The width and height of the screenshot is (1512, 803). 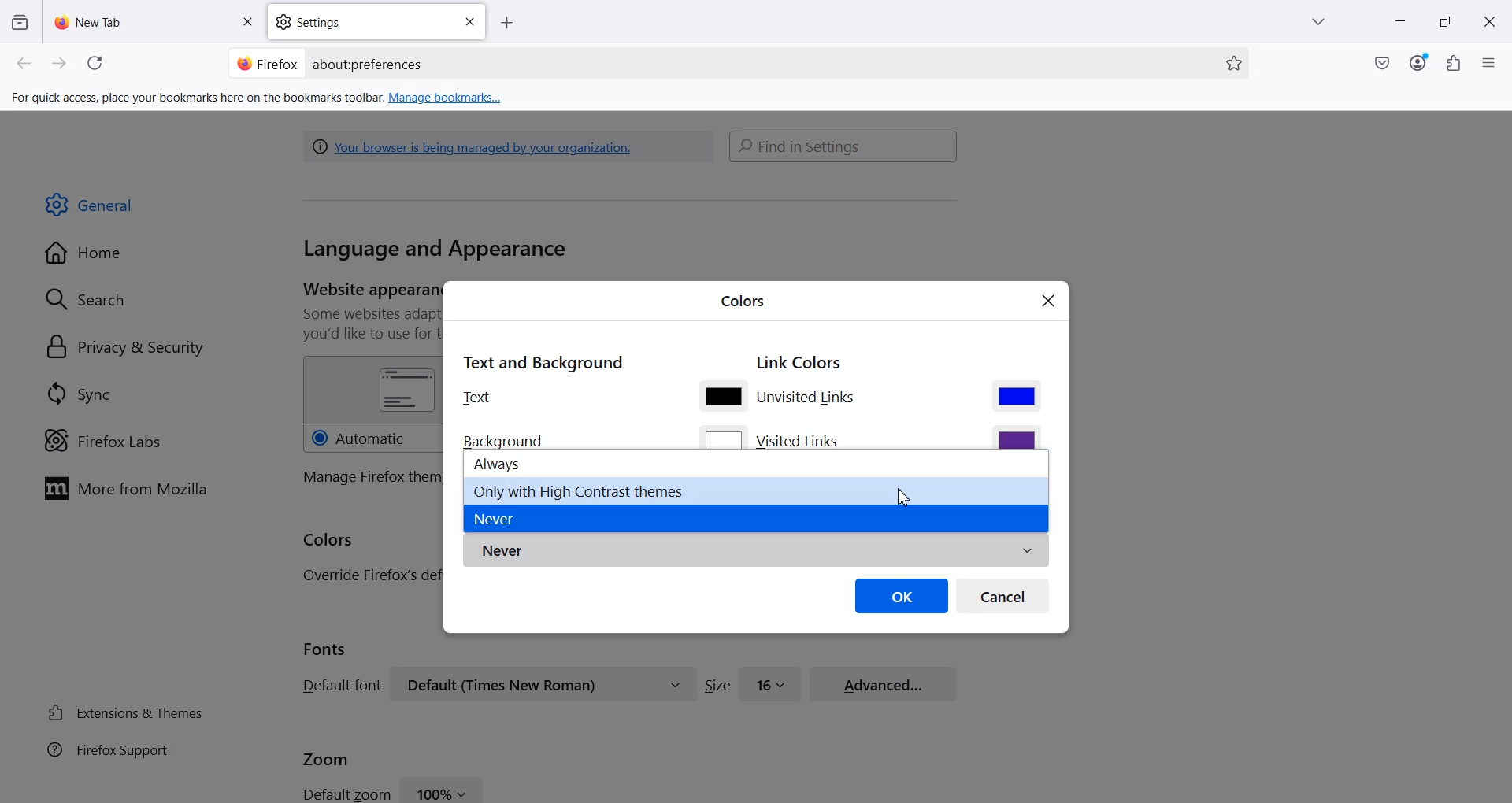 I want to click on @ Your browser is being managed by your organization., so click(x=476, y=146).